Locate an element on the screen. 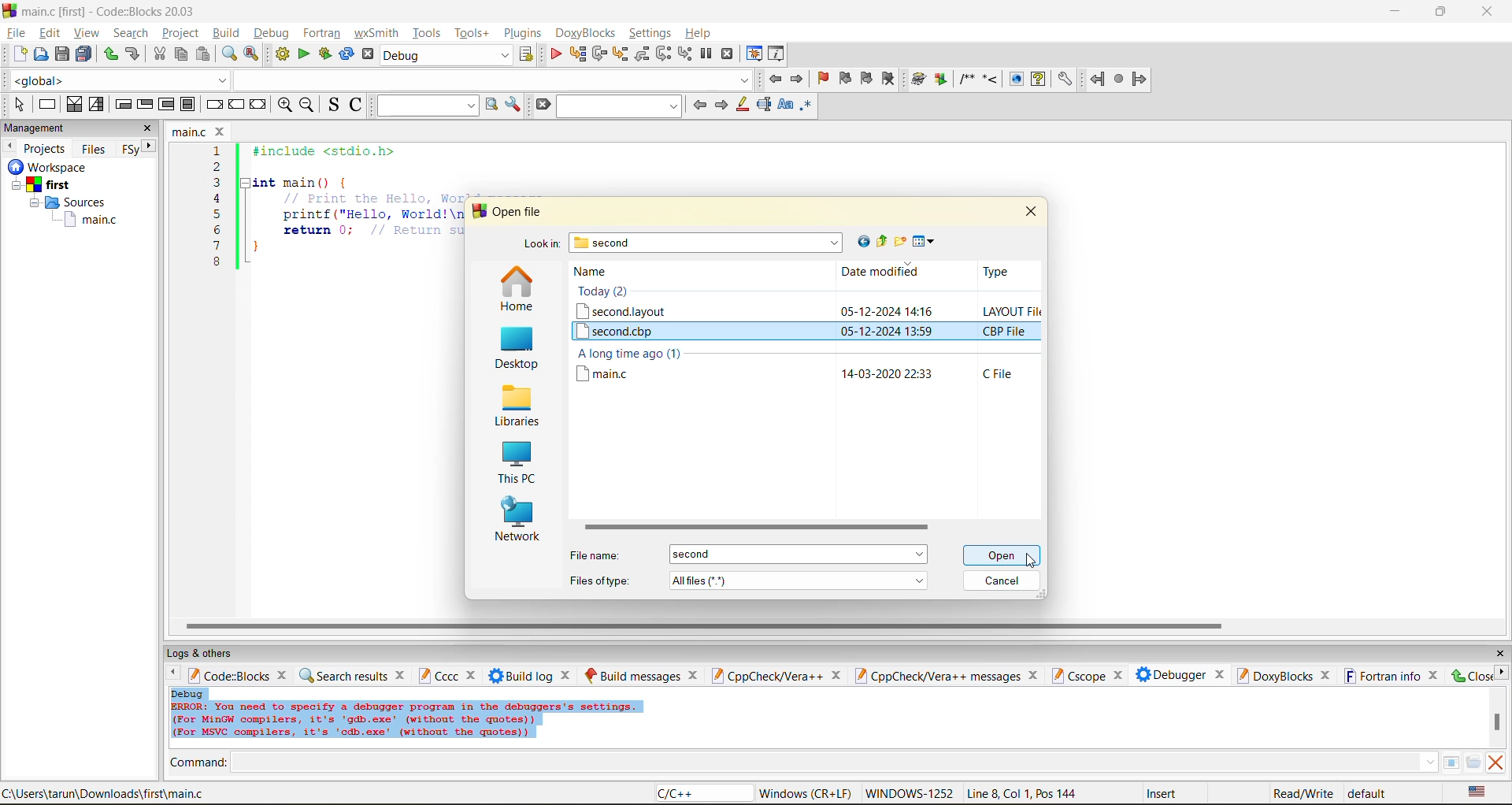 The width and height of the screenshot is (1512, 805). file is located at coordinates (15, 31).